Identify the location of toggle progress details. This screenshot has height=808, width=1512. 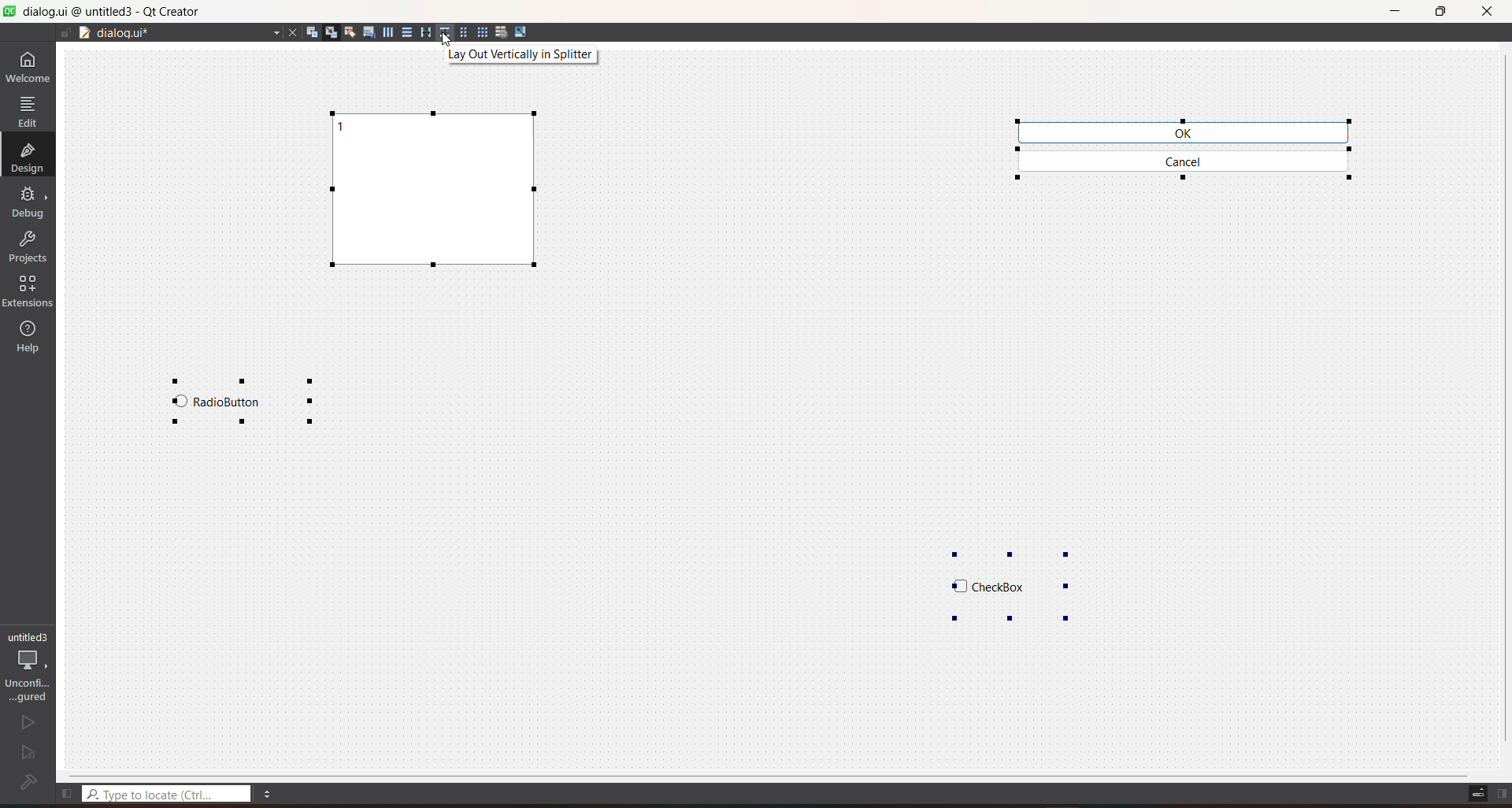
(1477, 792).